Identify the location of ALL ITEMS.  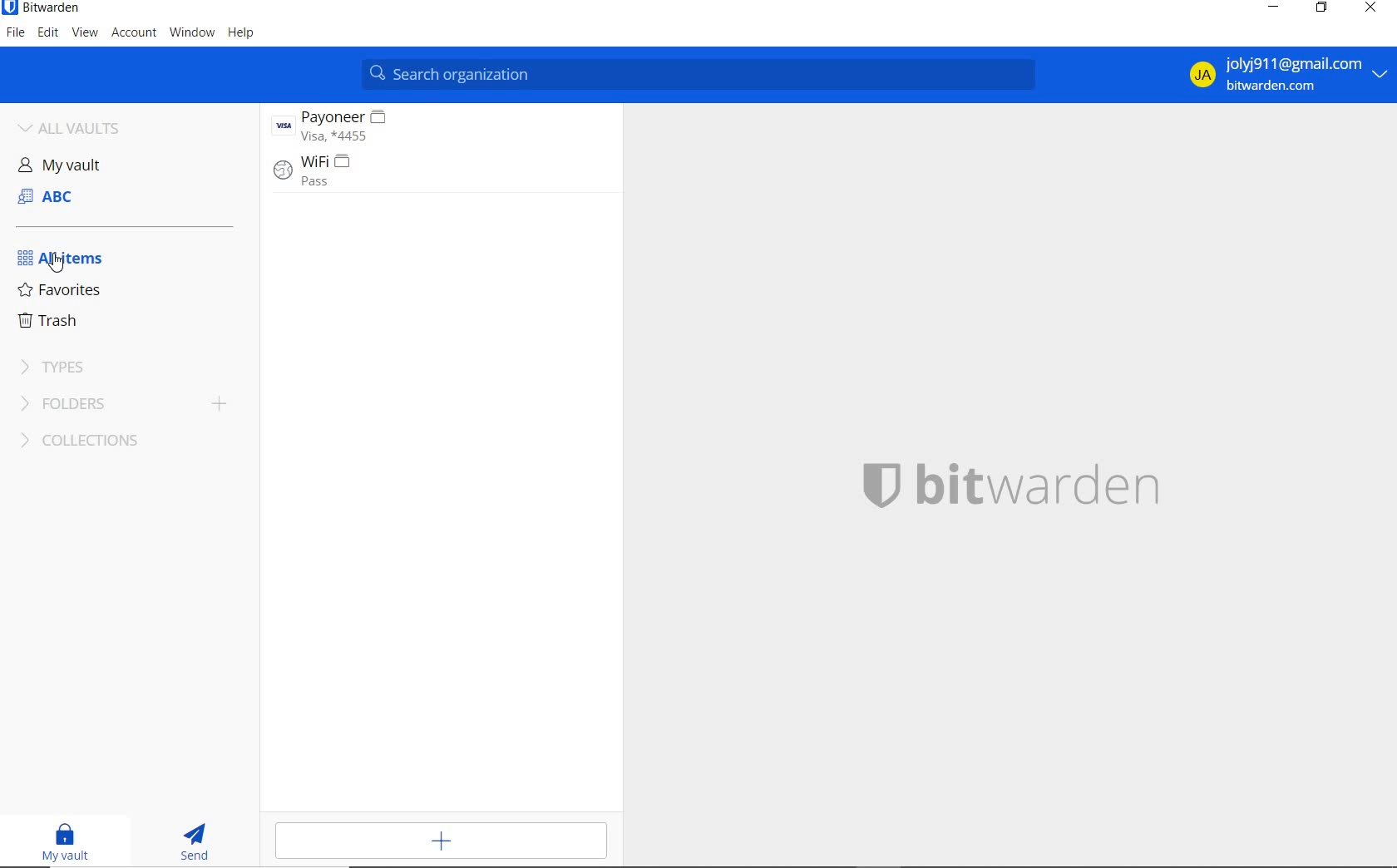
(64, 258).